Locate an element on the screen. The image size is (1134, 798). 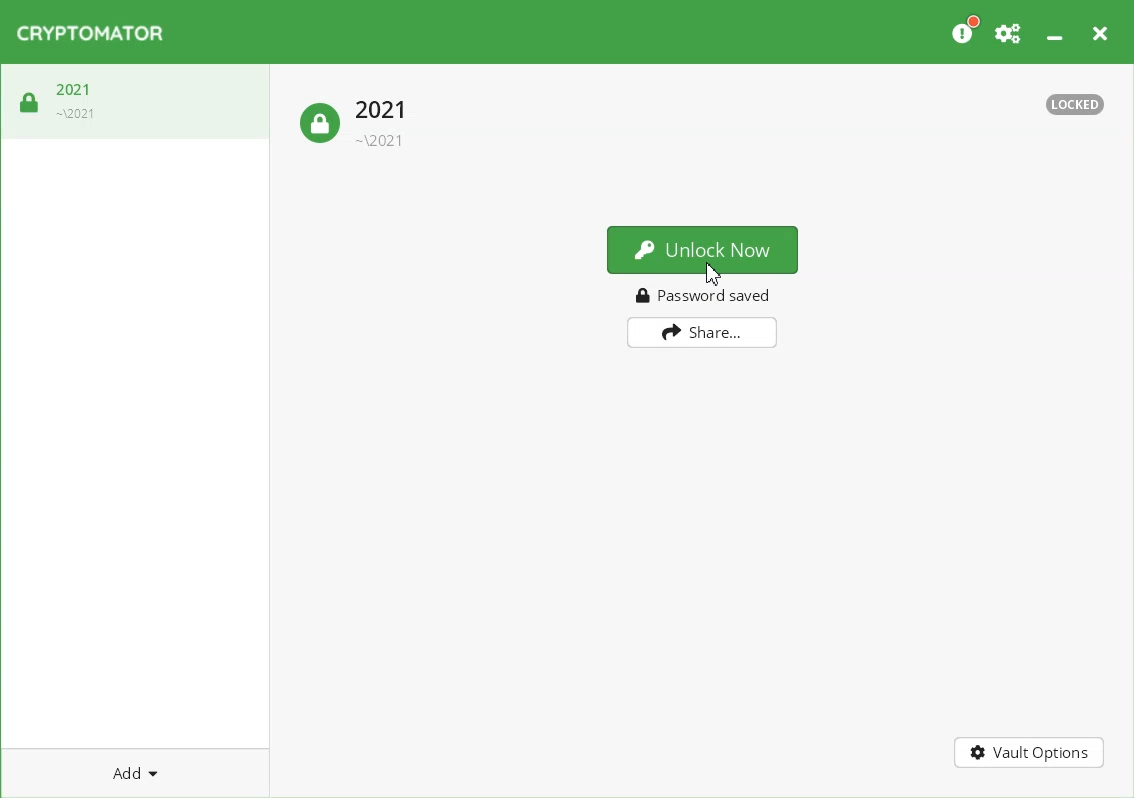
Cursor is located at coordinates (715, 275).